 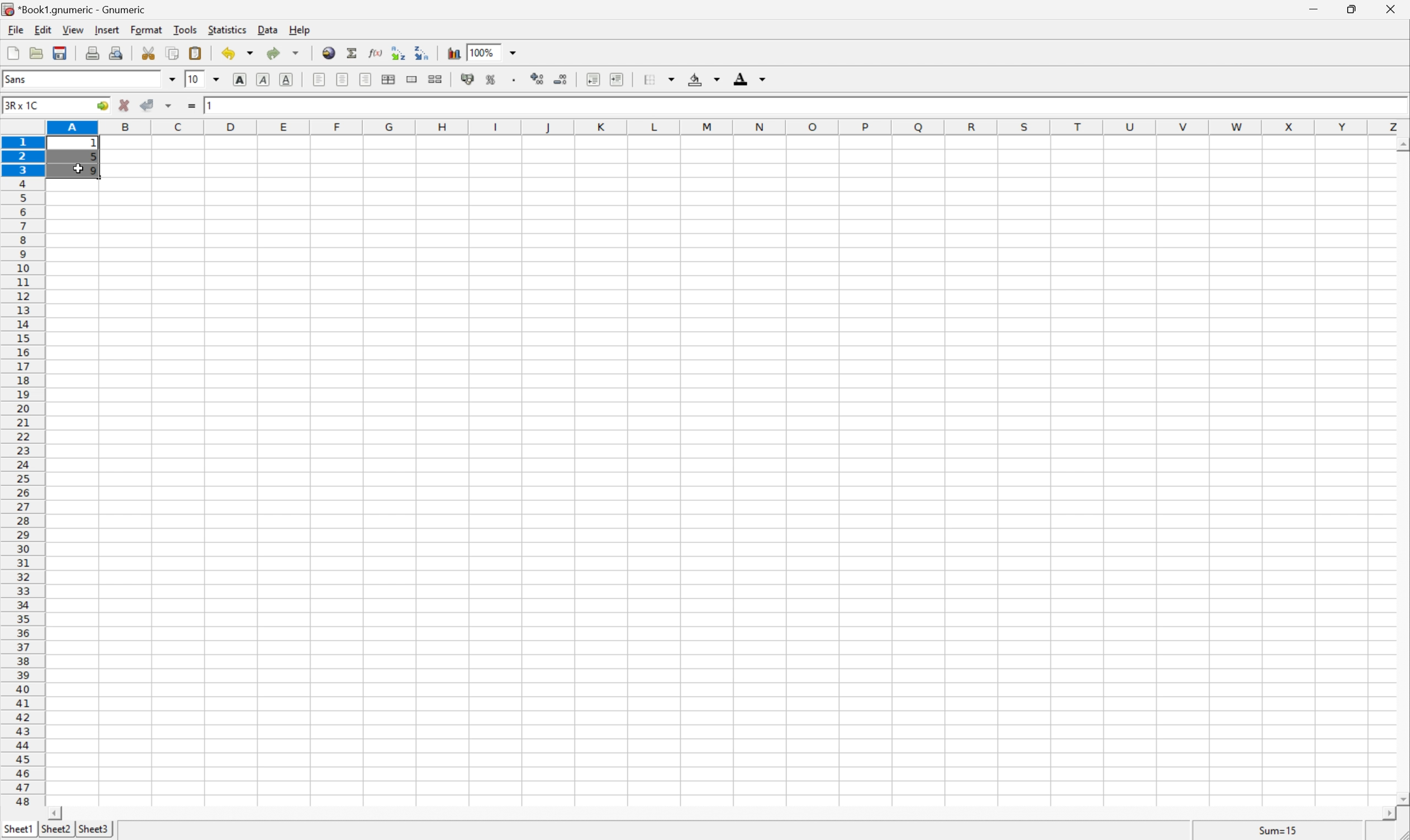 I want to click on enter formula, so click(x=192, y=106).